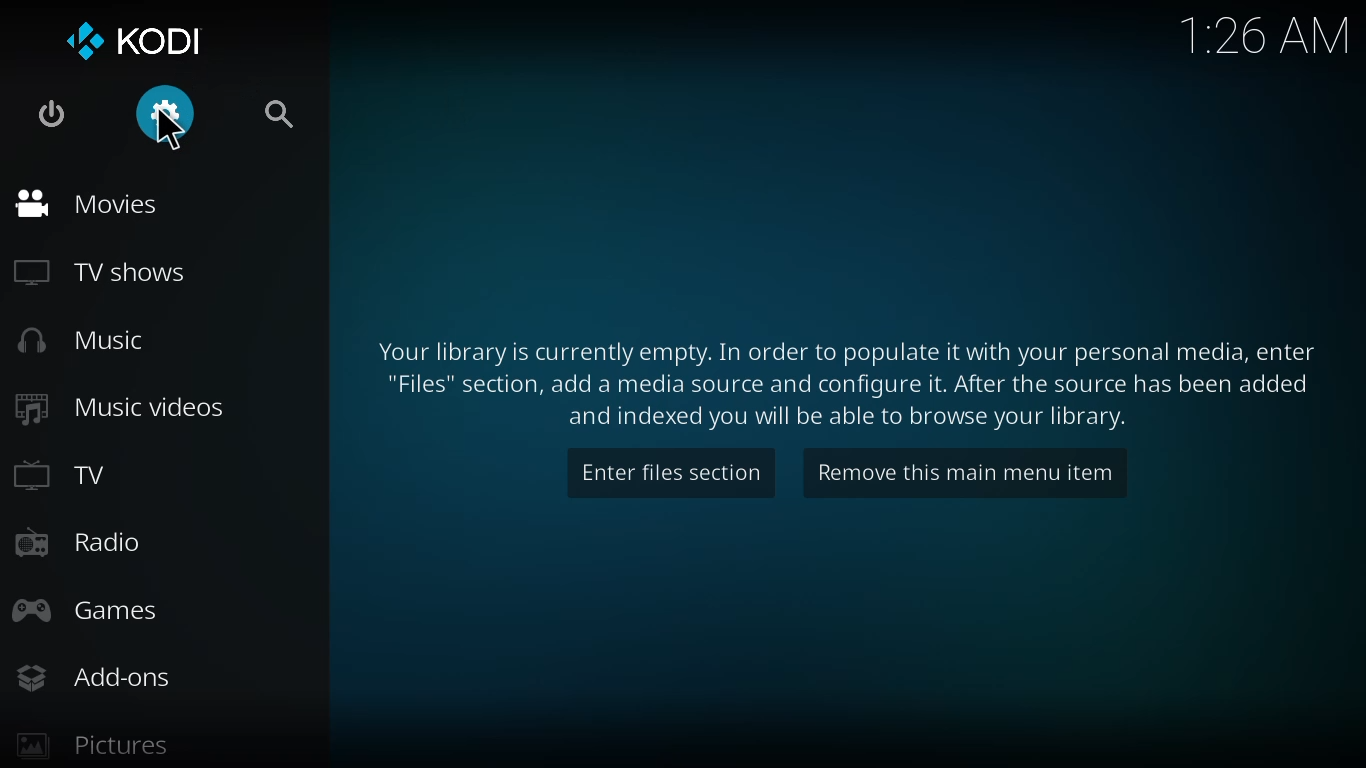 The image size is (1366, 768). Describe the element at coordinates (181, 133) in the screenshot. I see `cursor` at that location.